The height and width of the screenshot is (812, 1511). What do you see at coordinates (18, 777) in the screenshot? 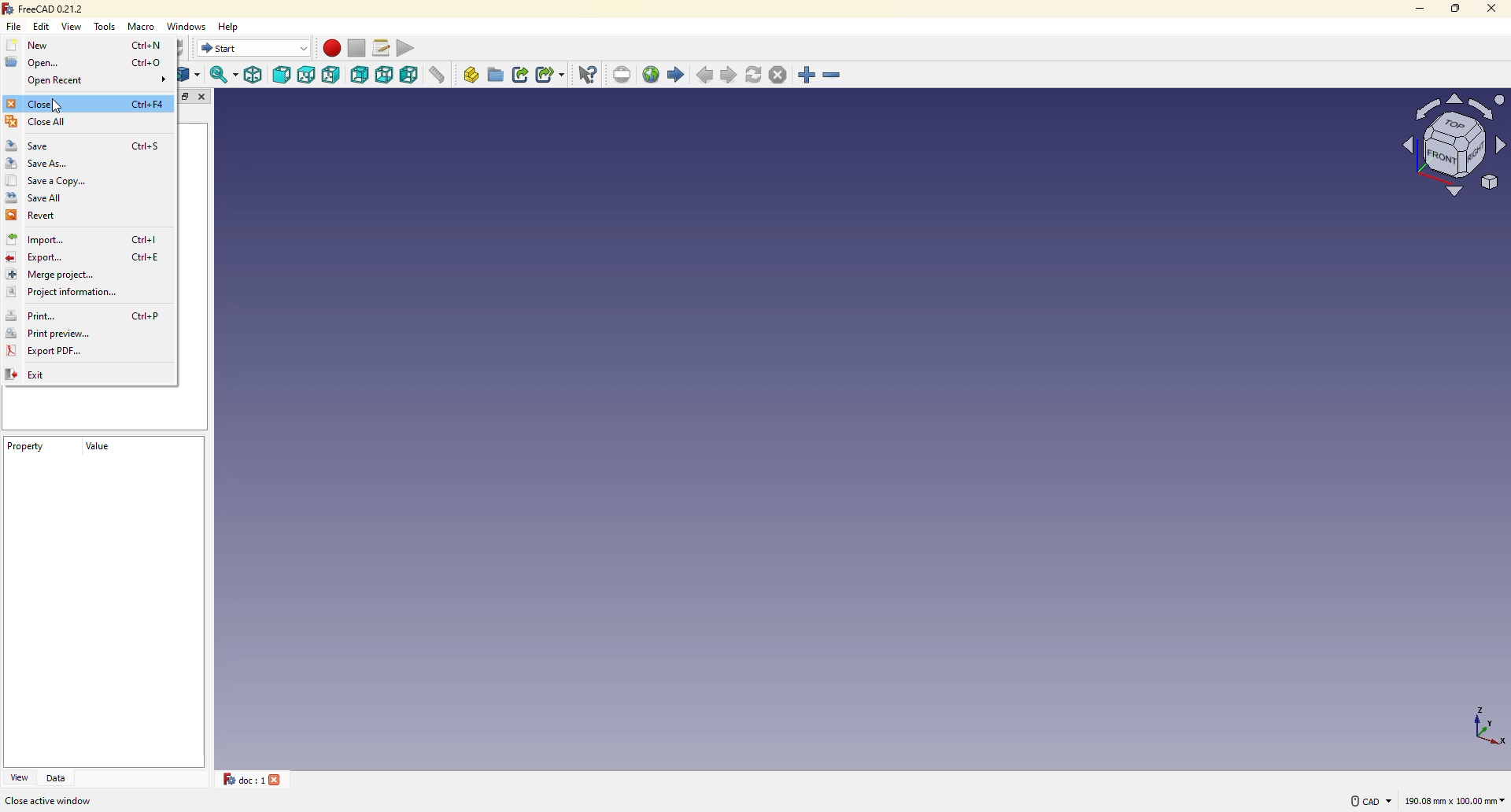
I see `view` at bounding box center [18, 777].